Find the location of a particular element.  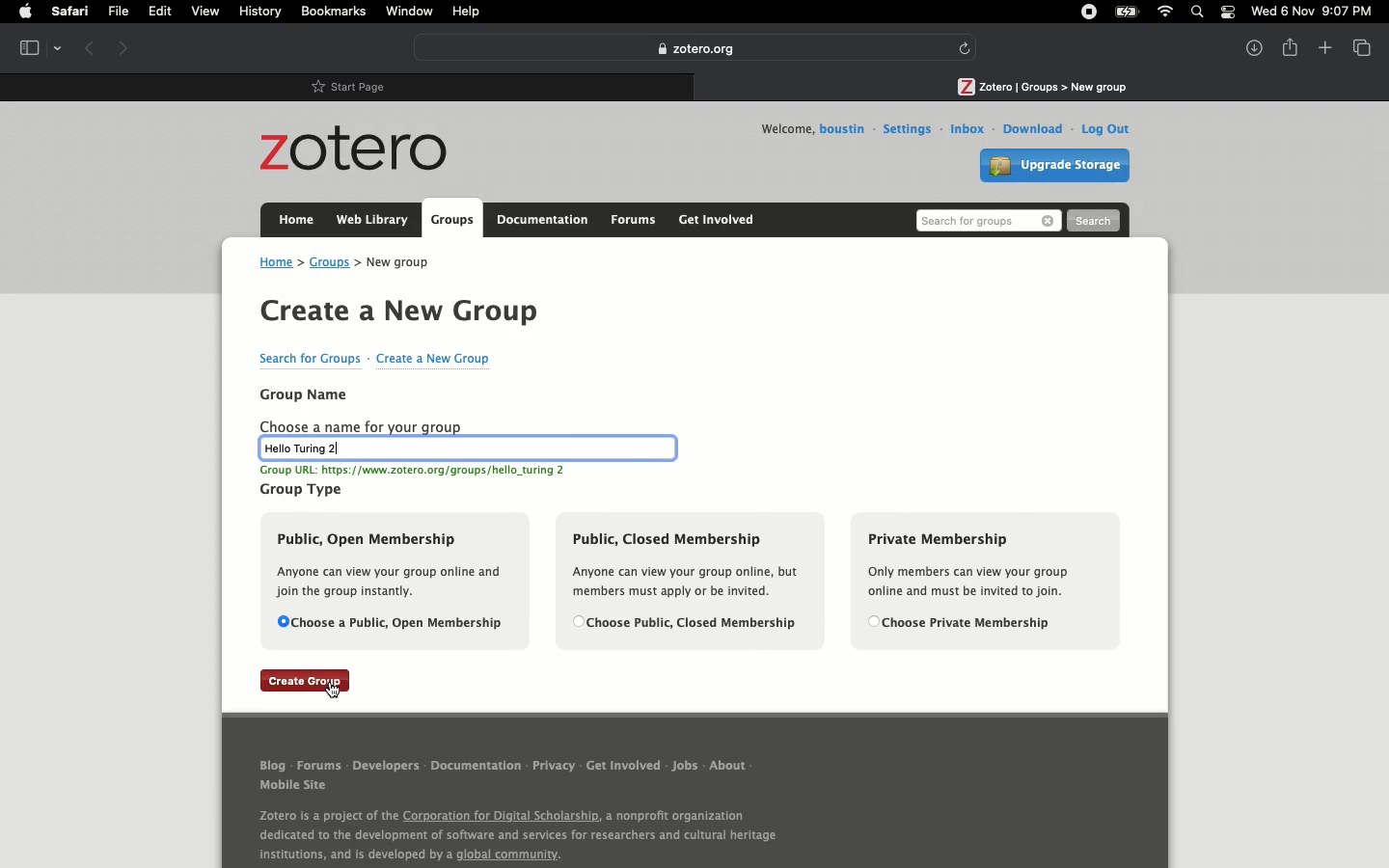

Username is located at coordinates (844, 129).